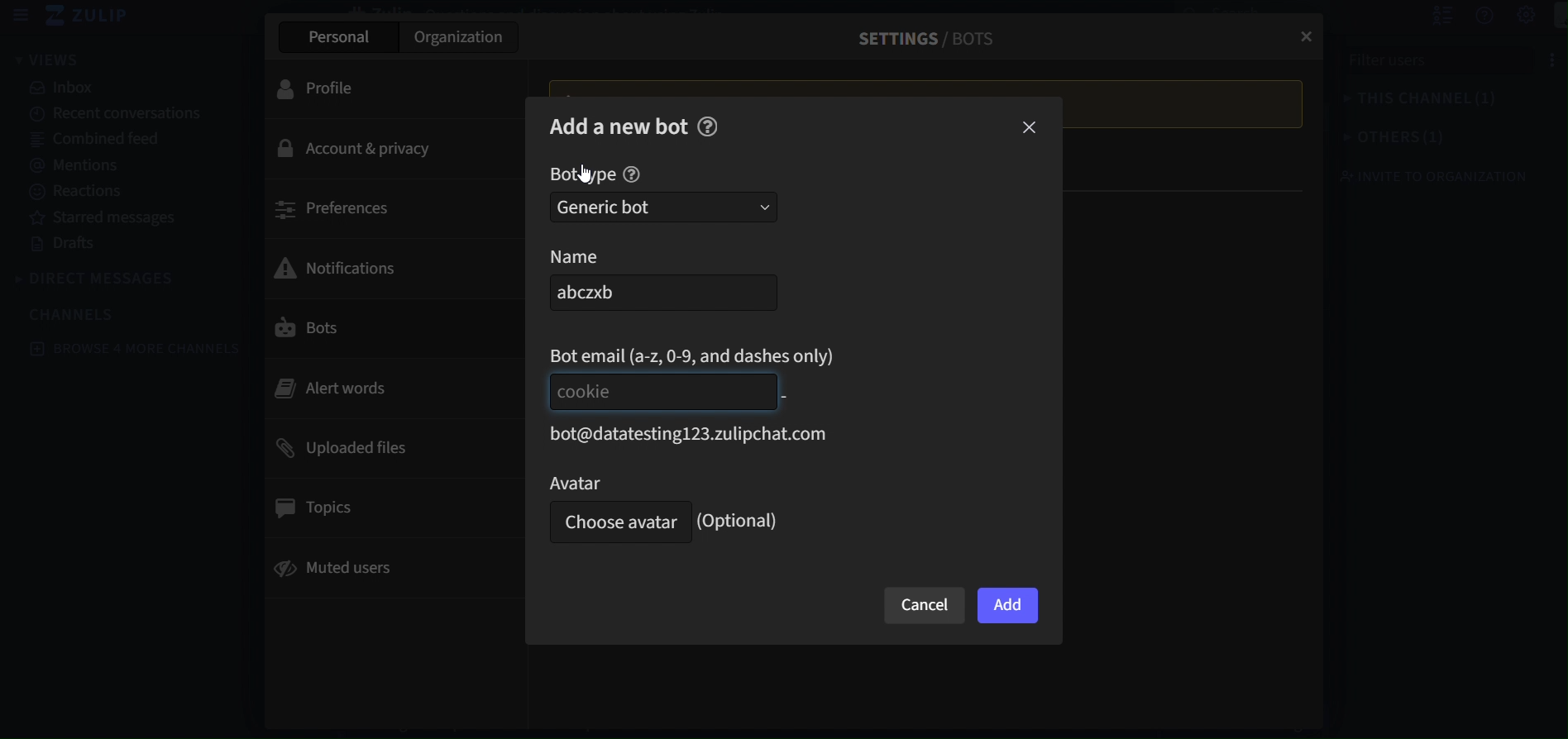 The image size is (1568, 739). What do you see at coordinates (124, 245) in the screenshot?
I see `drafts` at bounding box center [124, 245].